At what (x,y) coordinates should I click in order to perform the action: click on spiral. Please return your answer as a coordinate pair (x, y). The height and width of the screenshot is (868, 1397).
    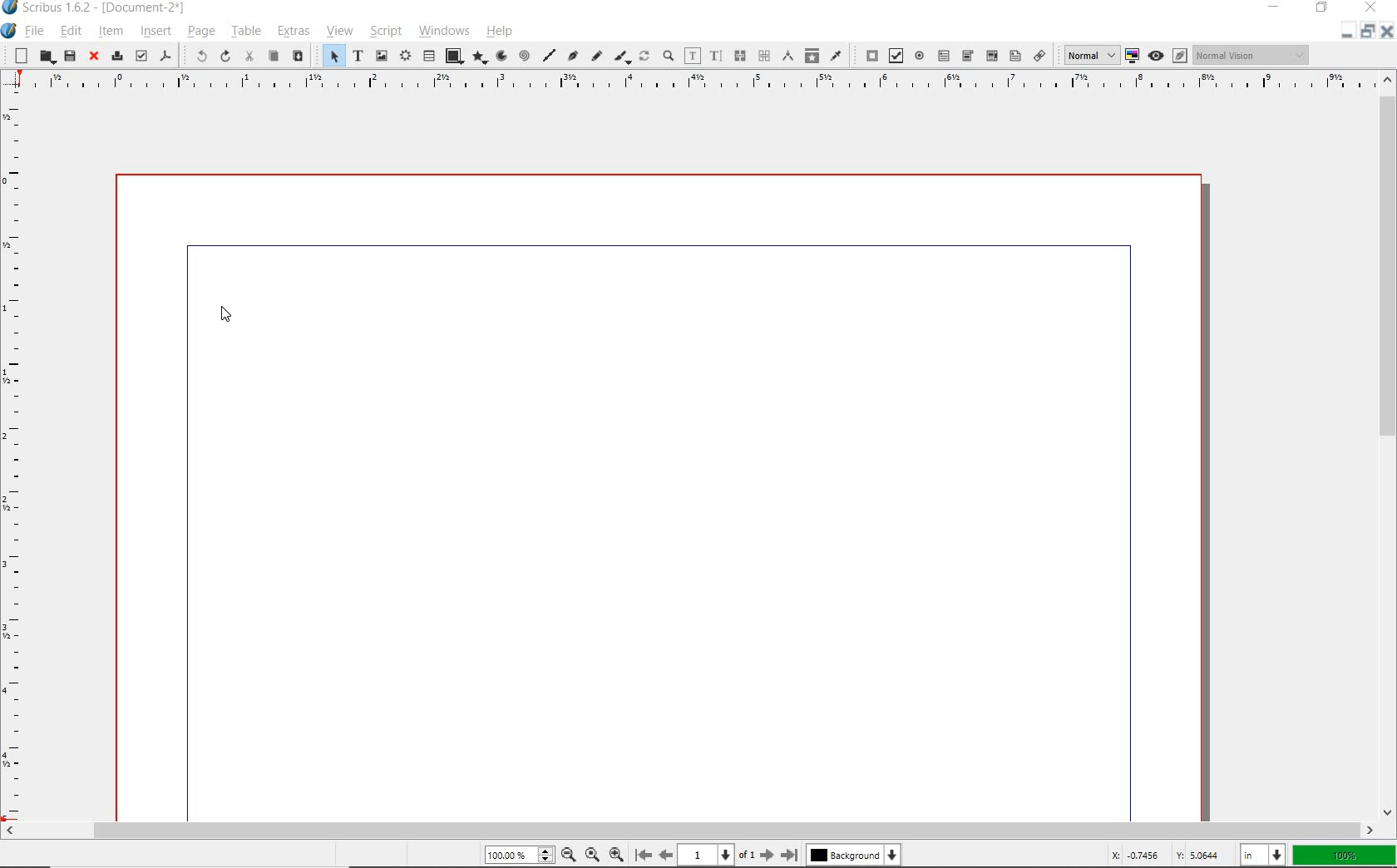
    Looking at the image, I should click on (526, 56).